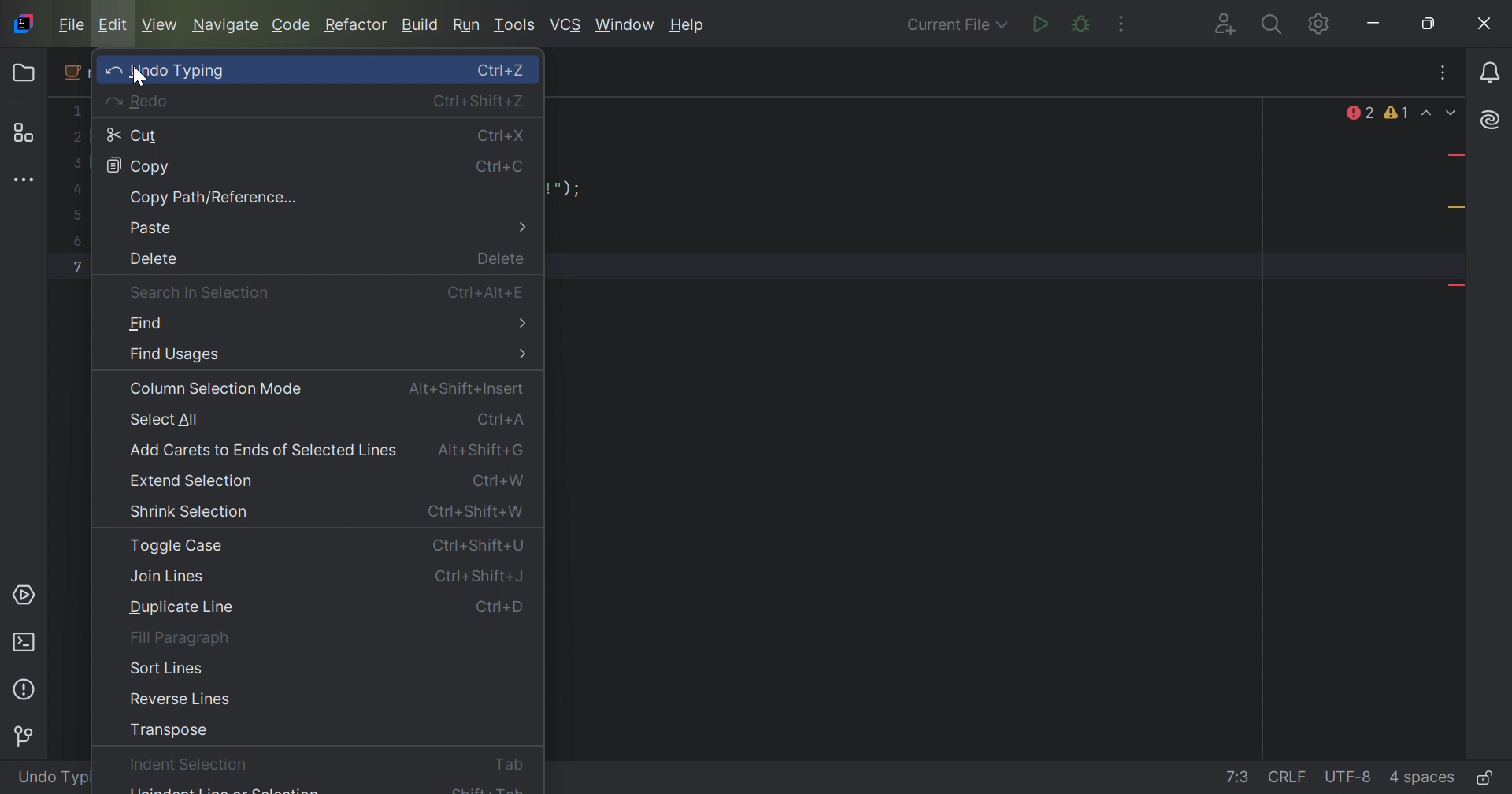 This screenshot has height=794, width=1512. What do you see at coordinates (1488, 777) in the screenshot?
I see `Make file read-only` at bounding box center [1488, 777].